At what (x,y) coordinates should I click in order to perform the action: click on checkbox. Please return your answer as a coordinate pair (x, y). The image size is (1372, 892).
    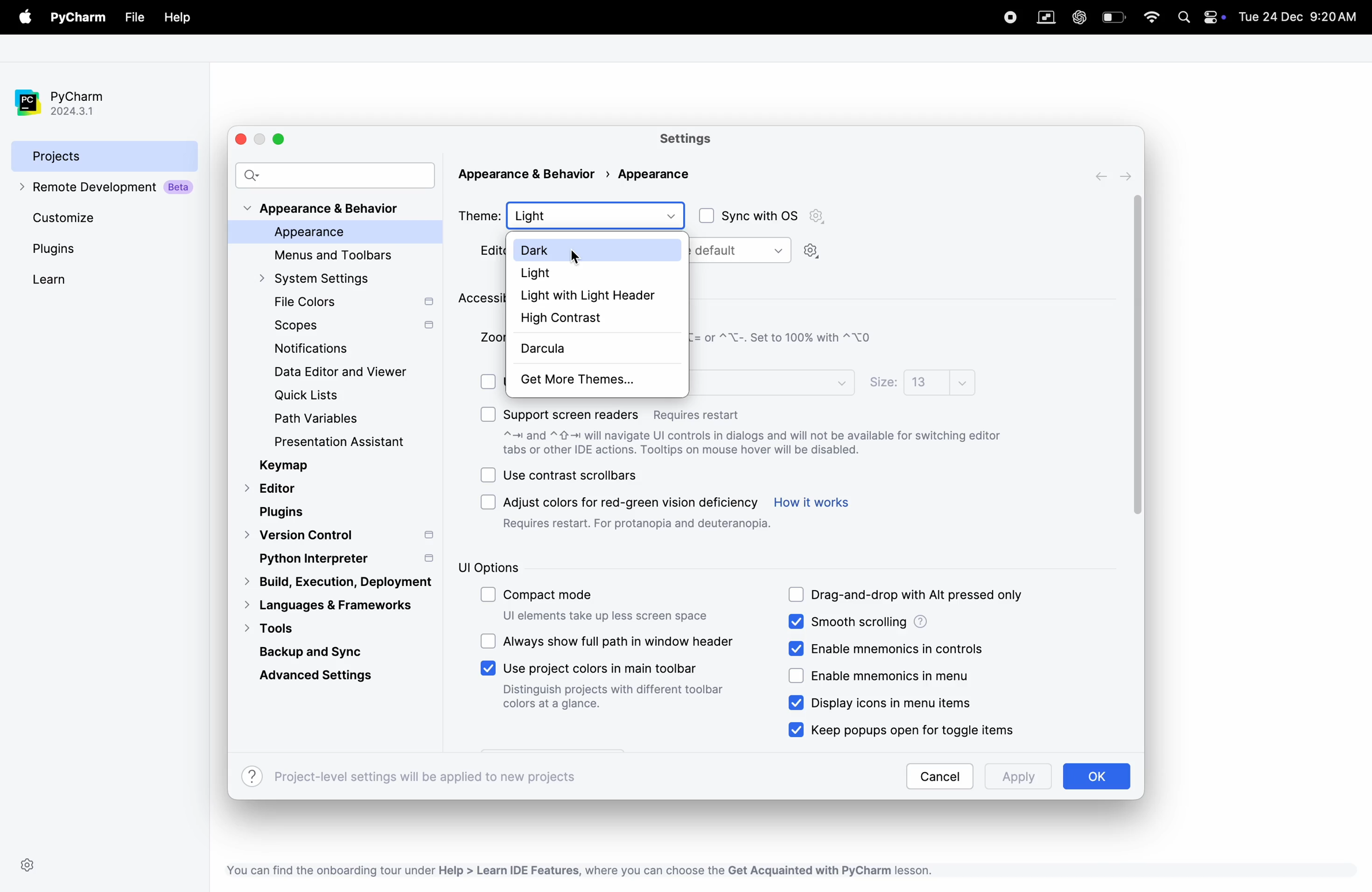
    Looking at the image, I should click on (797, 595).